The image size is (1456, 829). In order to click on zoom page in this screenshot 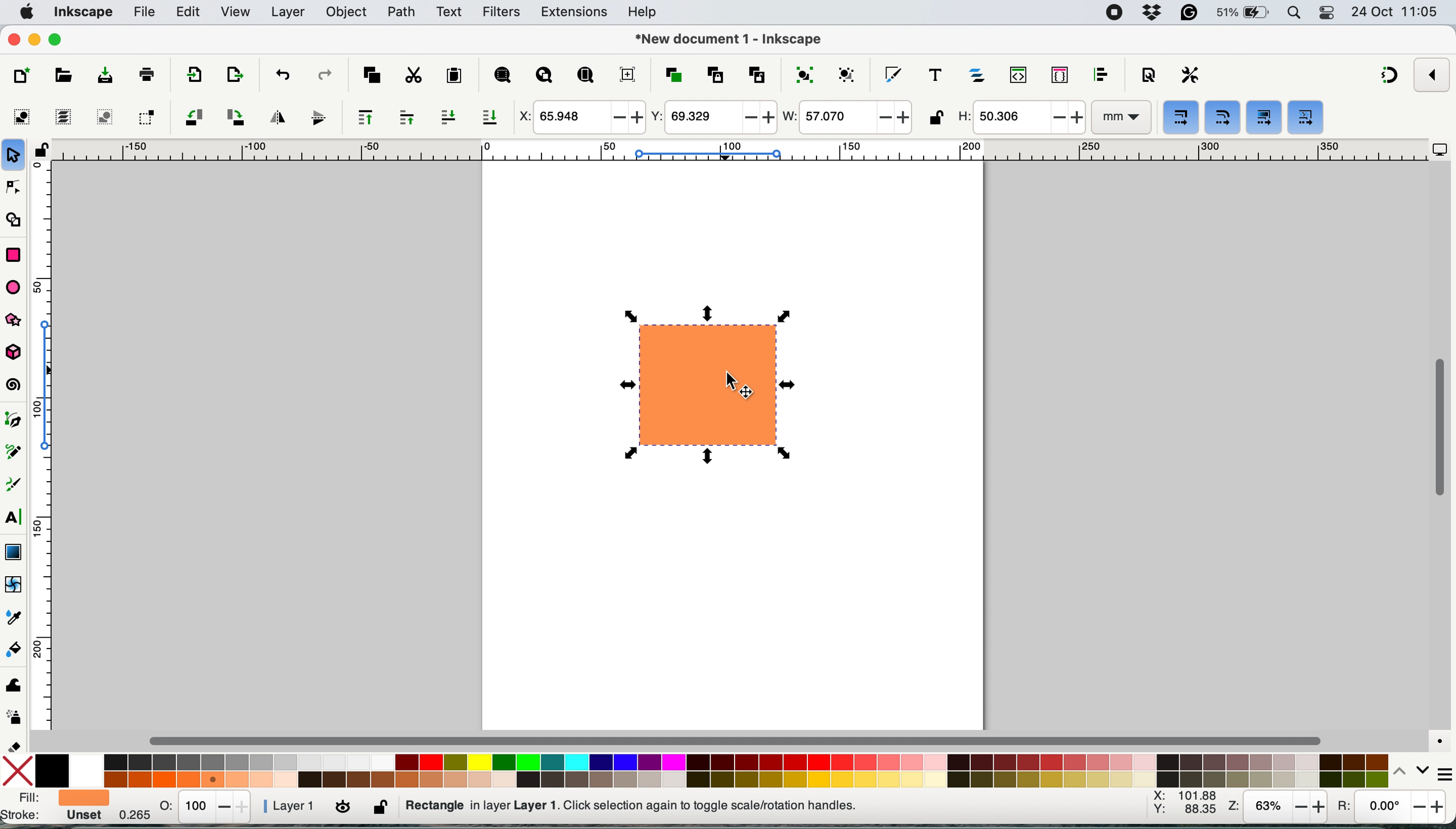, I will do `click(585, 76)`.